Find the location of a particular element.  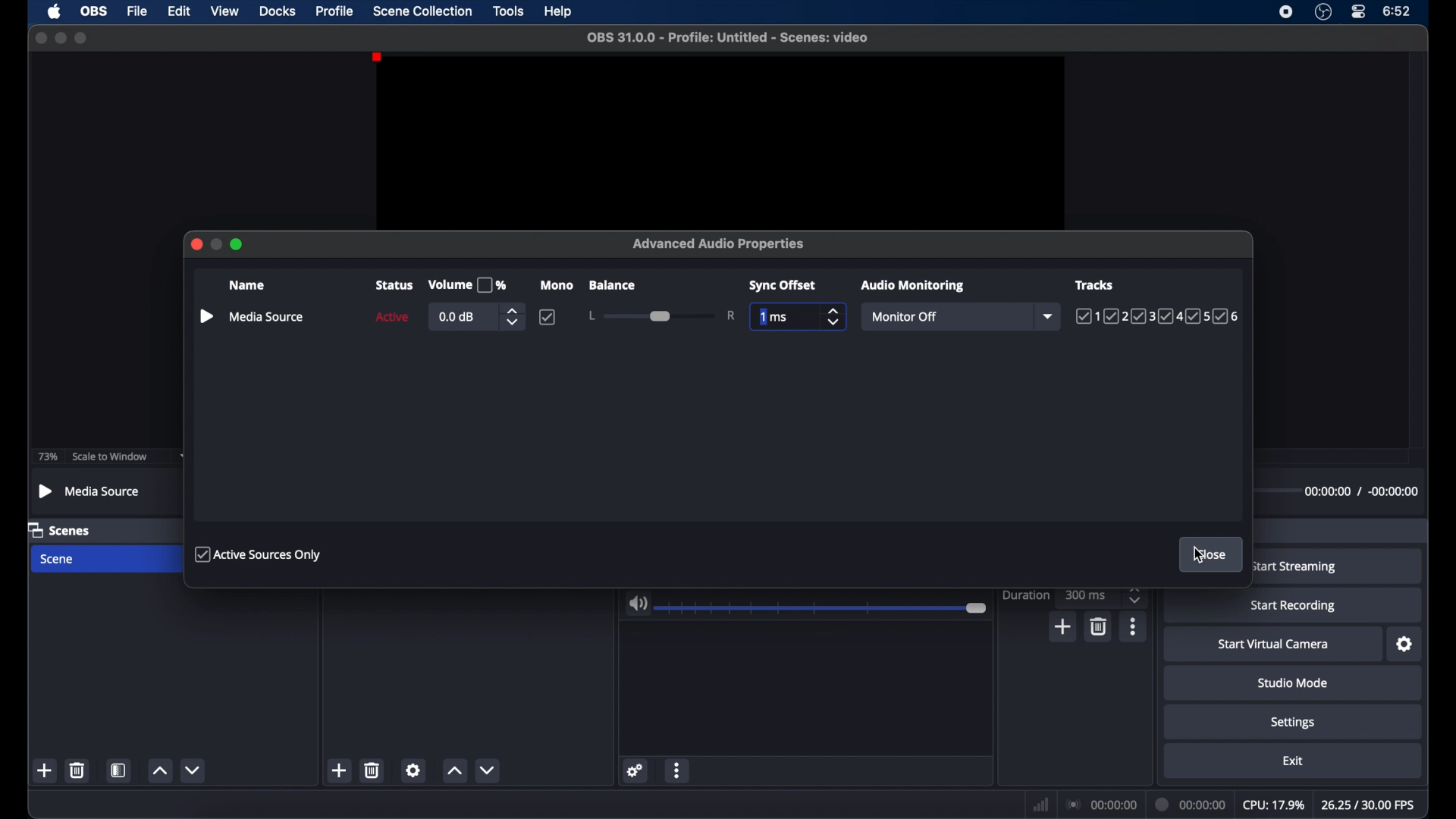

stepper buttons is located at coordinates (833, 318).